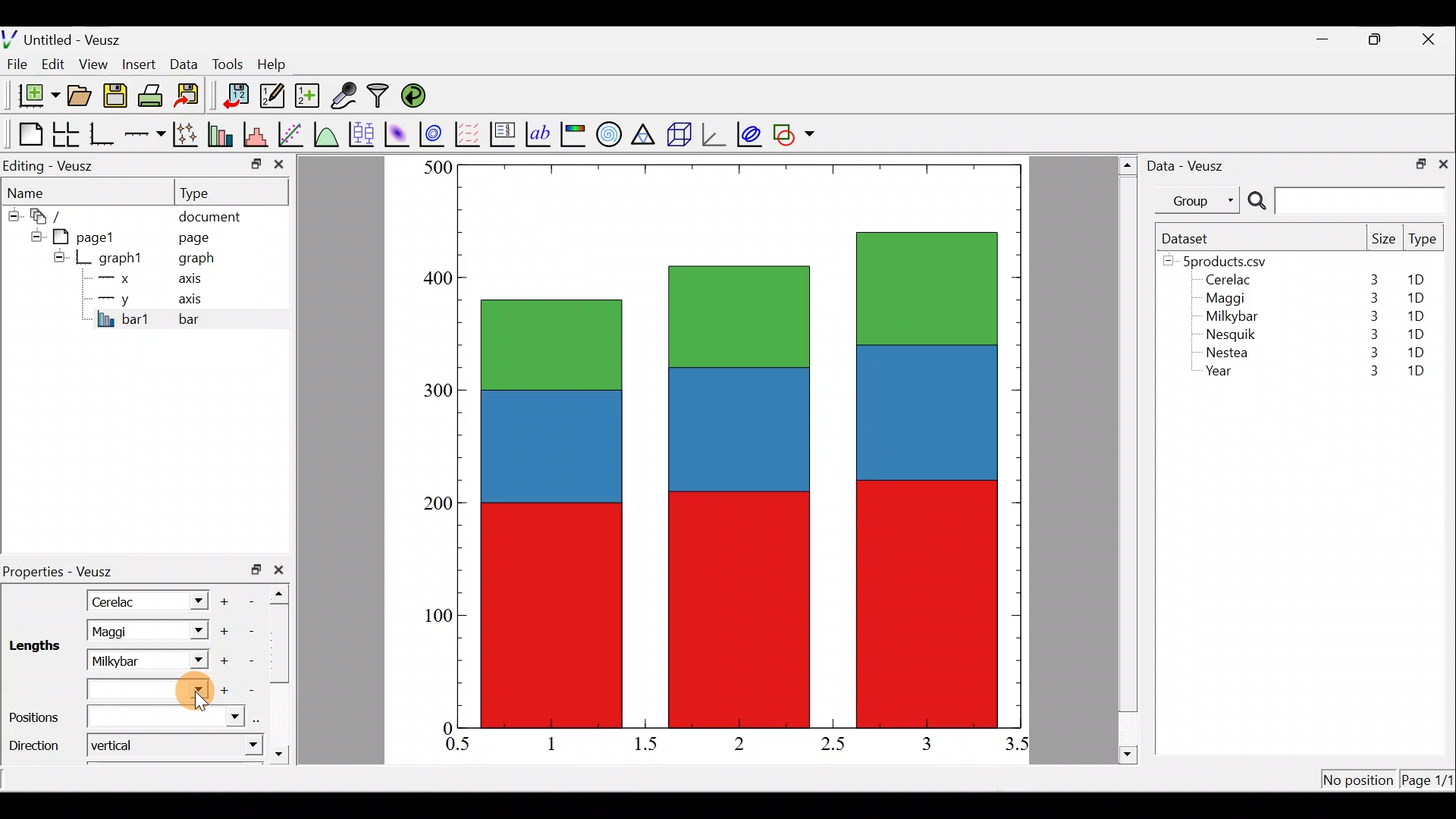 Image resolution: width=1456 pixels, height=819 pixels. I want to click on Nestea, so click(1228, 353).